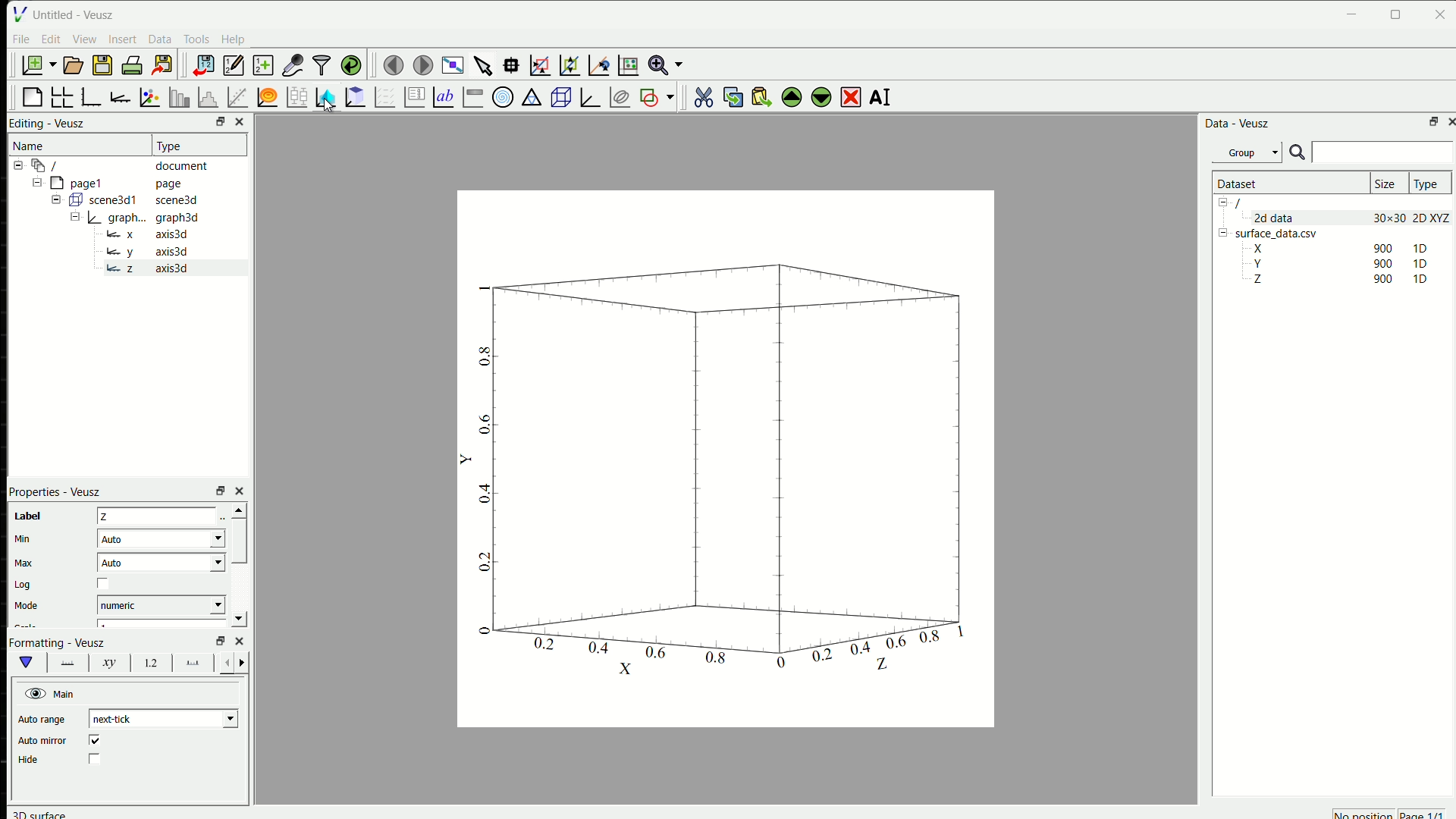 The height and width of the screenshot is (819, 1456). What do you see at coordinates (240, 541) in the screenshot?
I see `scrollbar` at bounding box center [240, 541].